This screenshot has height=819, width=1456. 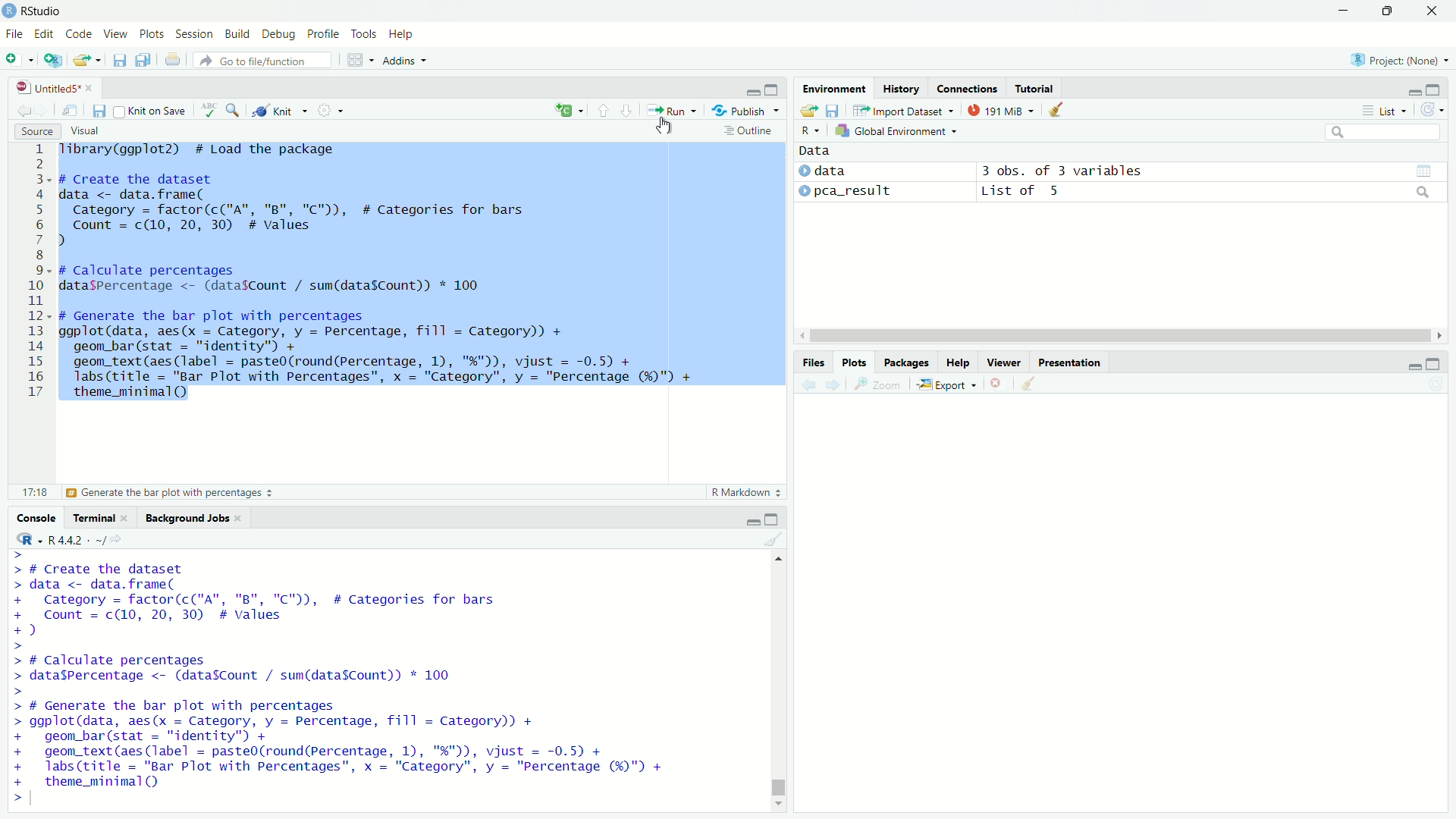 I want to click on Code, so click(x=80, y=35).